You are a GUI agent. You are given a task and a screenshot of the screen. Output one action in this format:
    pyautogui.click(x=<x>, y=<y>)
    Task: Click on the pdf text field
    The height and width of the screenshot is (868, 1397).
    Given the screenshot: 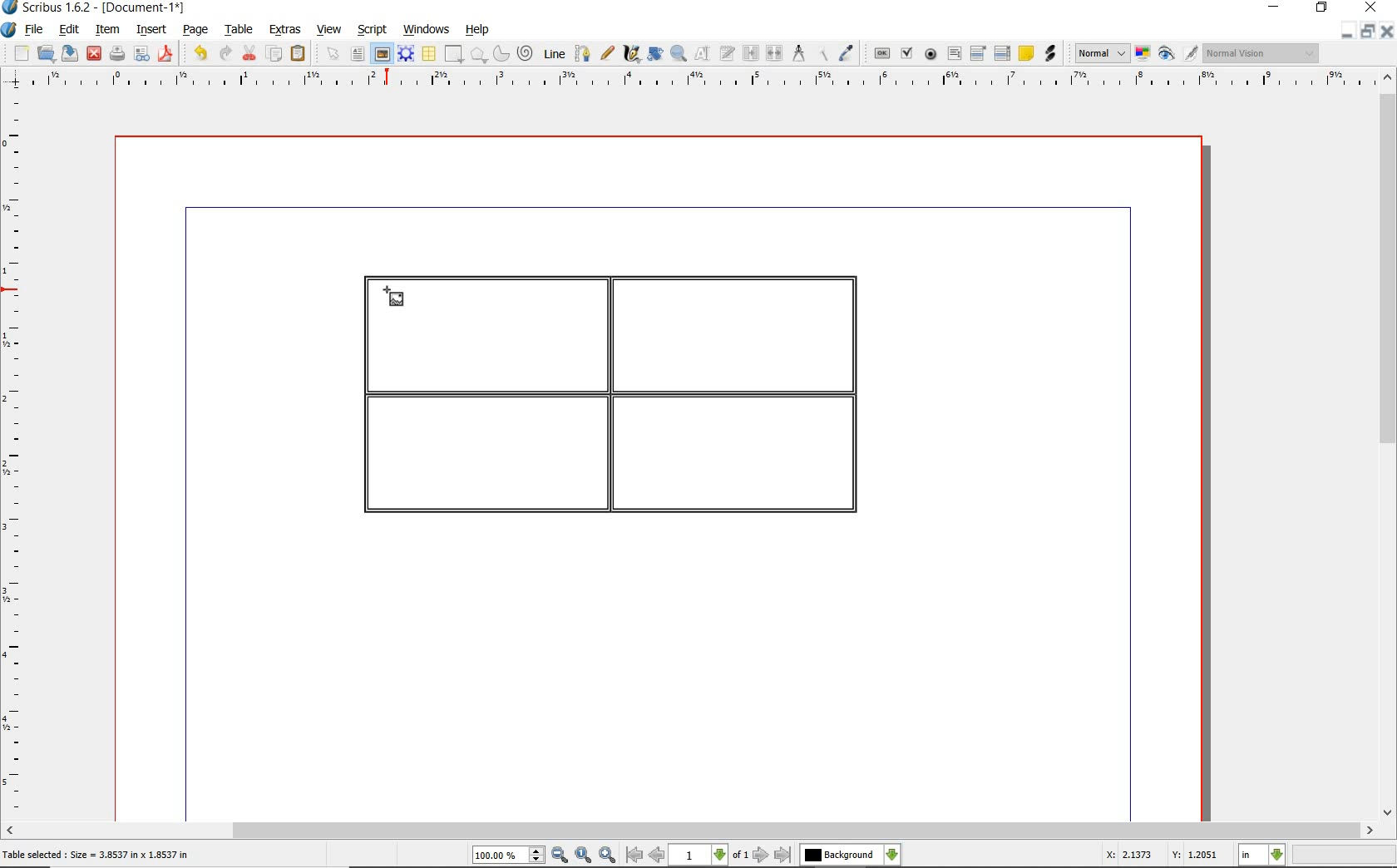 What is the action you would take?
    pyautogui.click(x=955, y=53)
    